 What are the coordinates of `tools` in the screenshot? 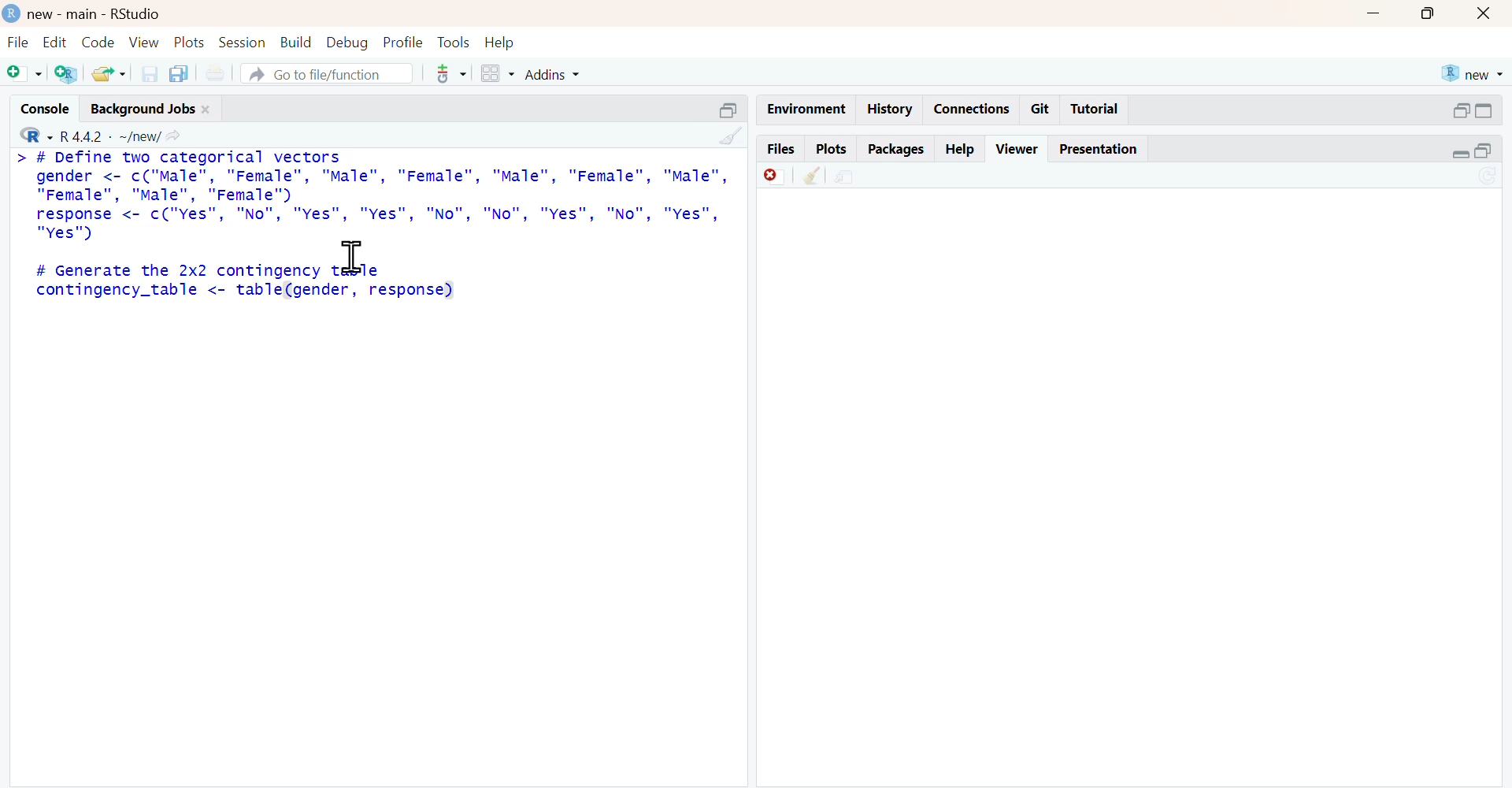 It's located at (453, 74).